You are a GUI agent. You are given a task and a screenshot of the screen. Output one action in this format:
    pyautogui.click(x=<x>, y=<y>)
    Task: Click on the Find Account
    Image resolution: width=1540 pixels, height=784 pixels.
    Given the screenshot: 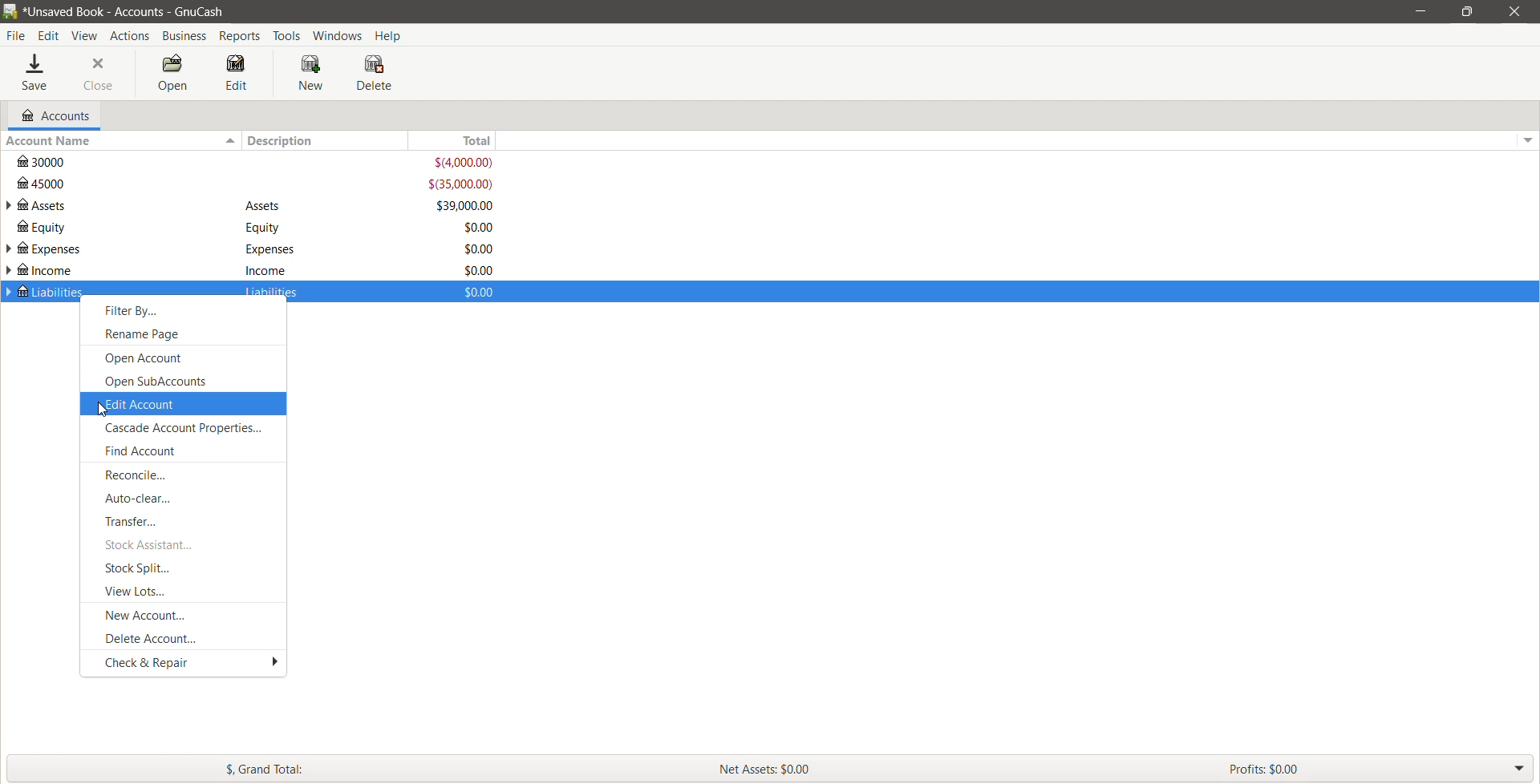 What is the action you would take?
    pyautogui.click(x=150, y=452)
    